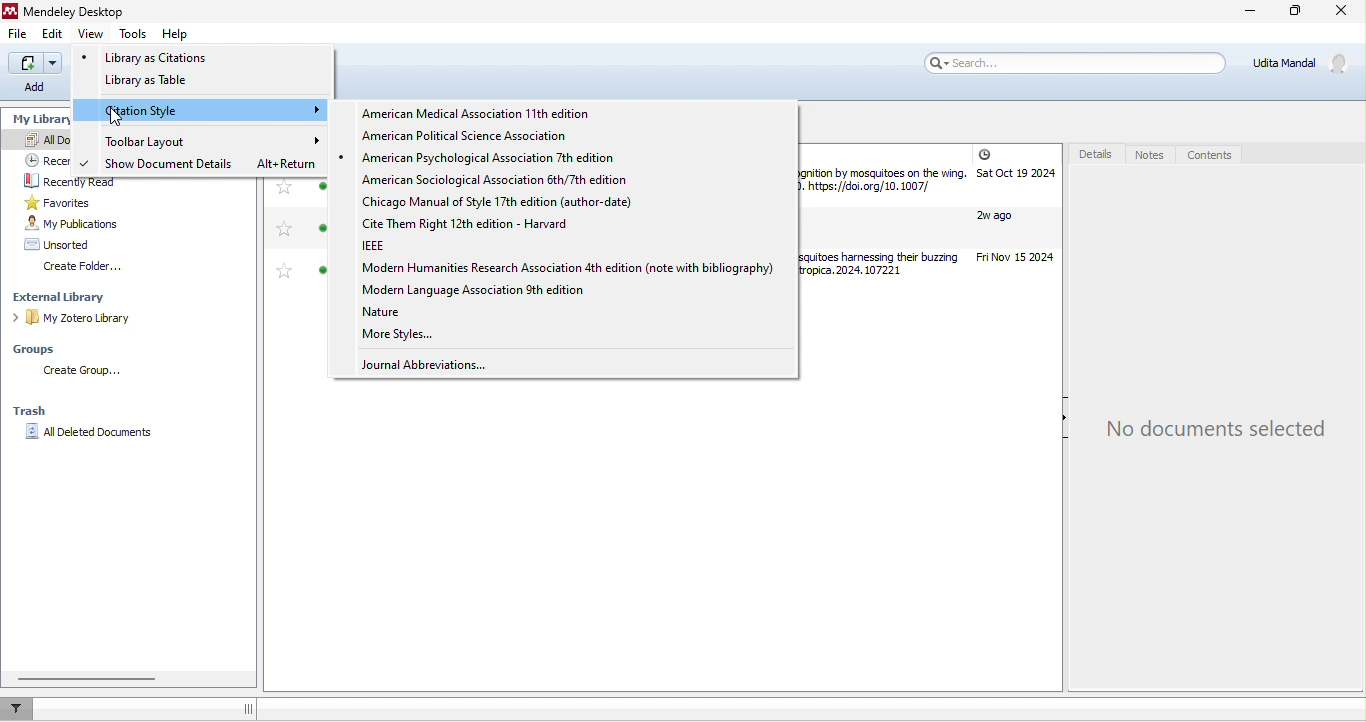 This screenshot has height=722, width=1366. Describe the element at coordinates (174, 36) in the screenshot. I see `help` at that location.